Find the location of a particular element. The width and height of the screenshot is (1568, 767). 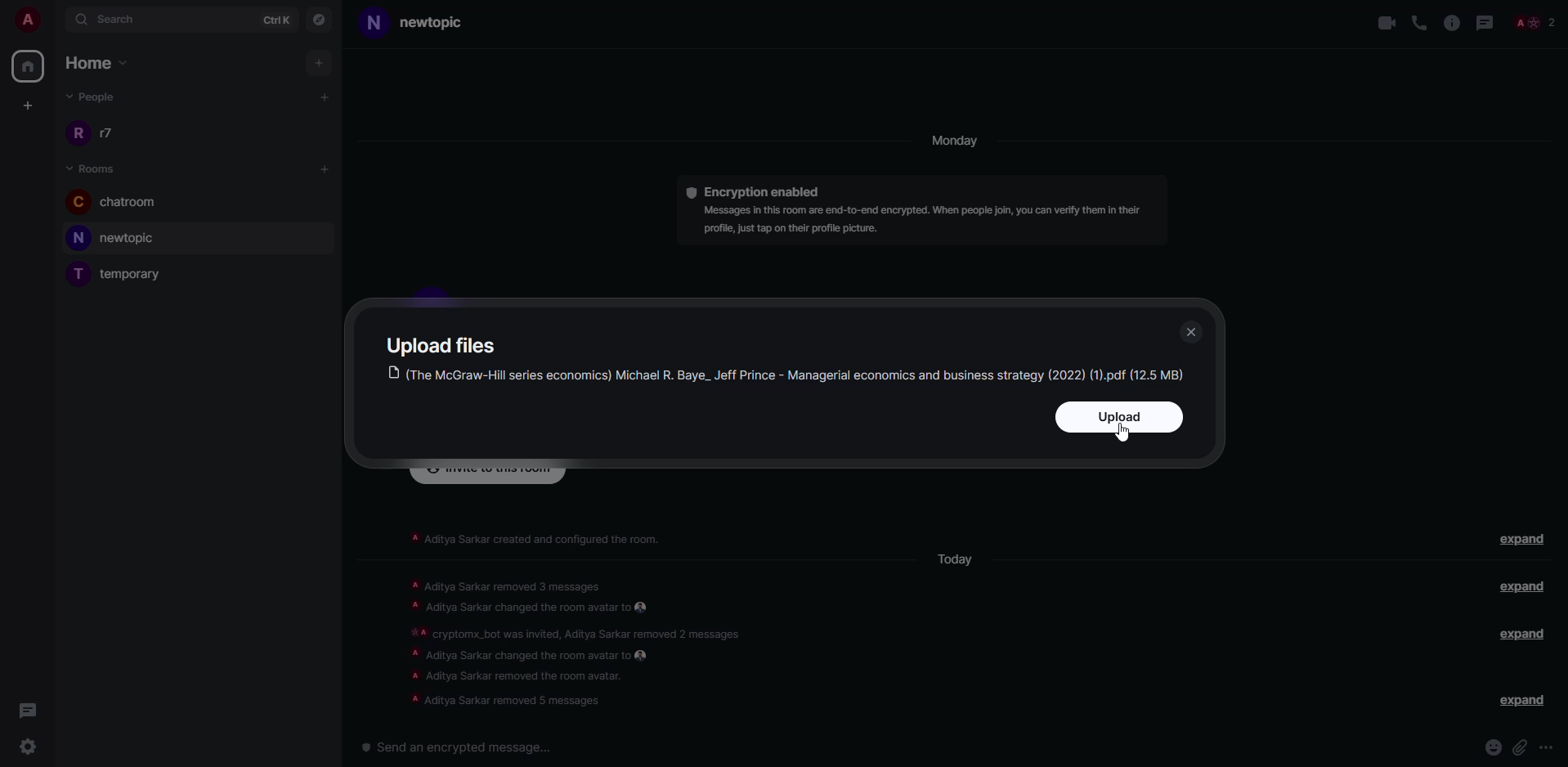

room is located at coordinates (96, 169).